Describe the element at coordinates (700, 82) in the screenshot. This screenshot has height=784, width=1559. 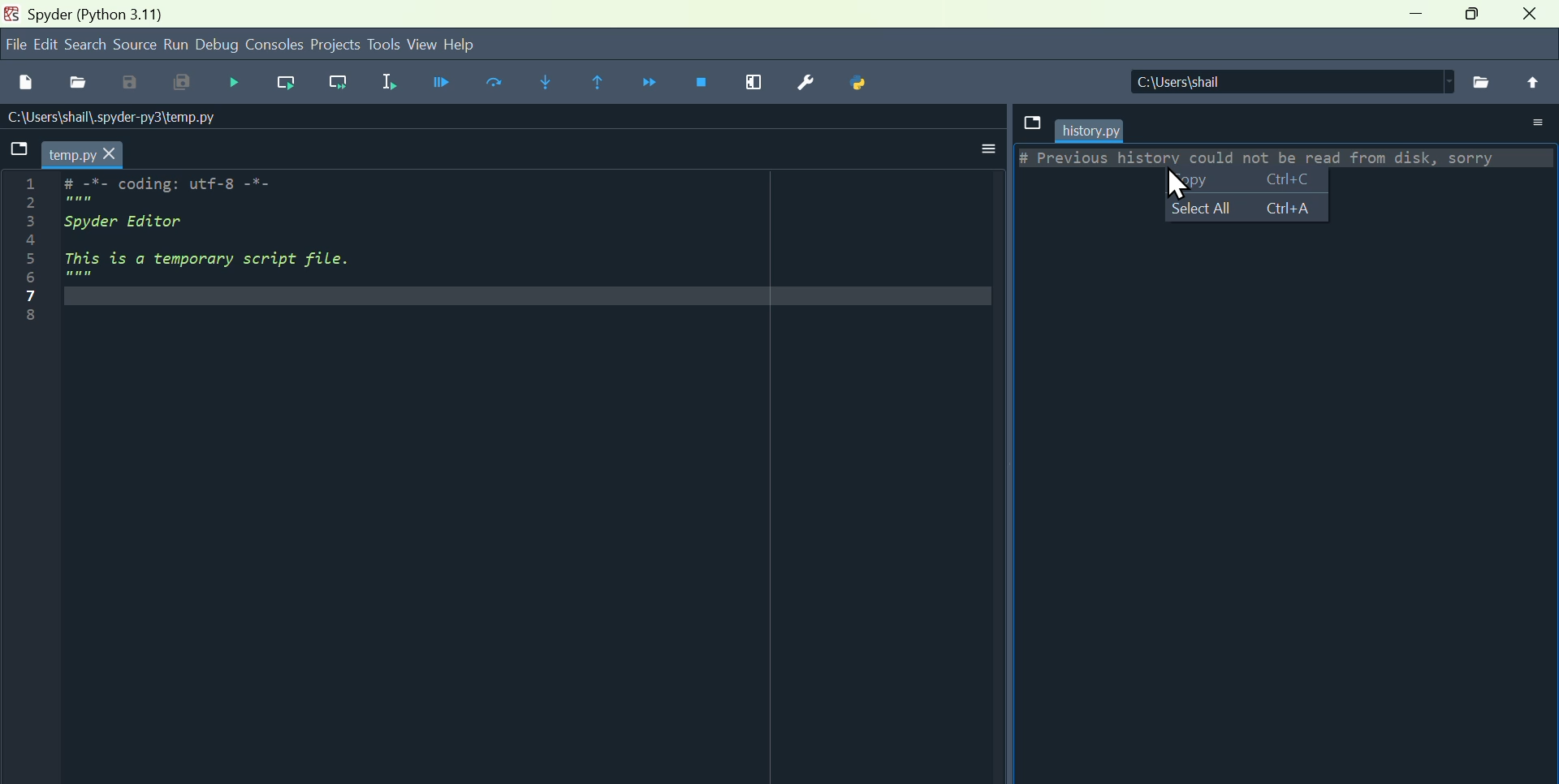
I see `Stop debugging` at that location.